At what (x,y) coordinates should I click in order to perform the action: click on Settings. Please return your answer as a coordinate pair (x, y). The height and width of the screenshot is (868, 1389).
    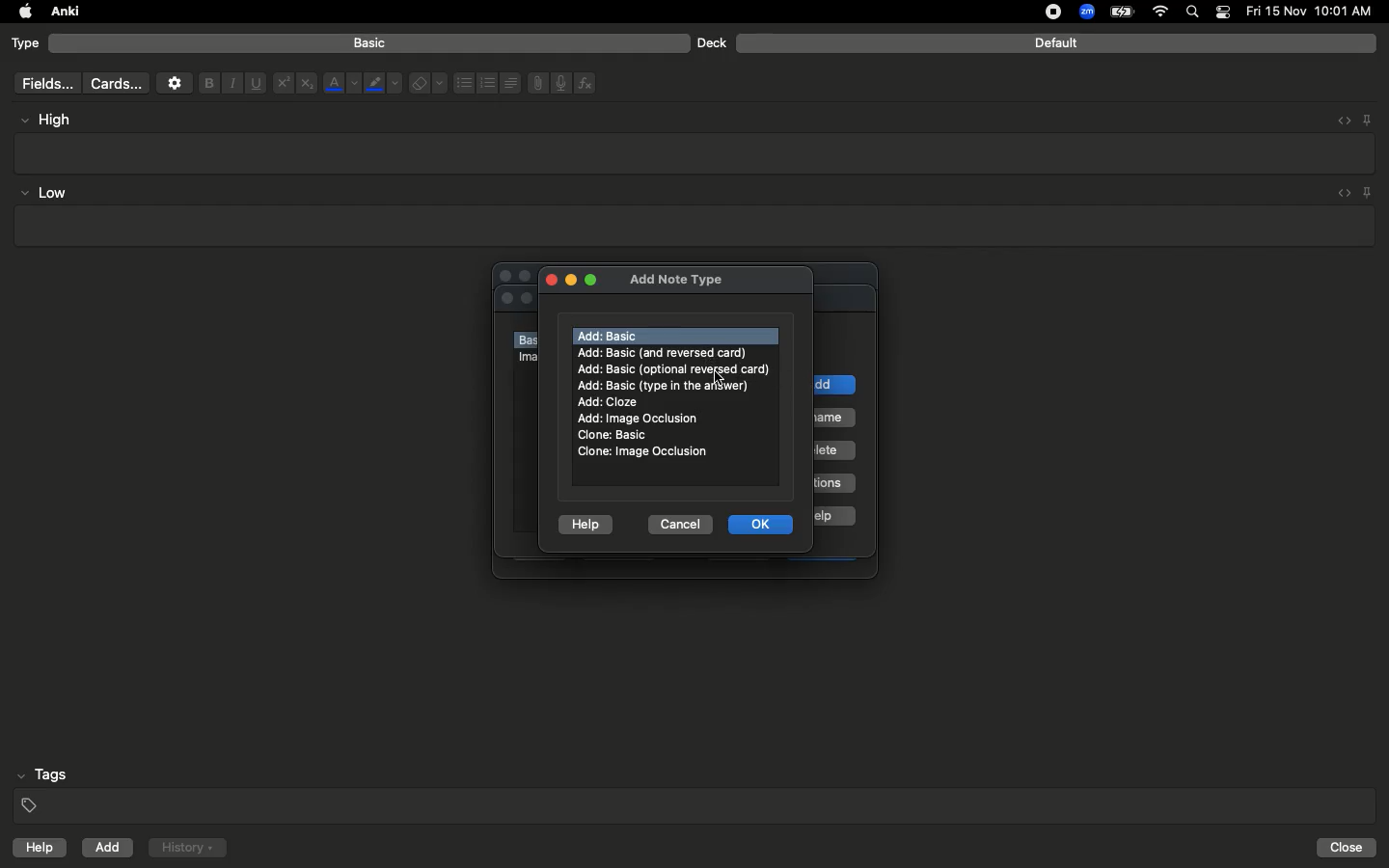
    Looking at the image, I should click on (175, 83).